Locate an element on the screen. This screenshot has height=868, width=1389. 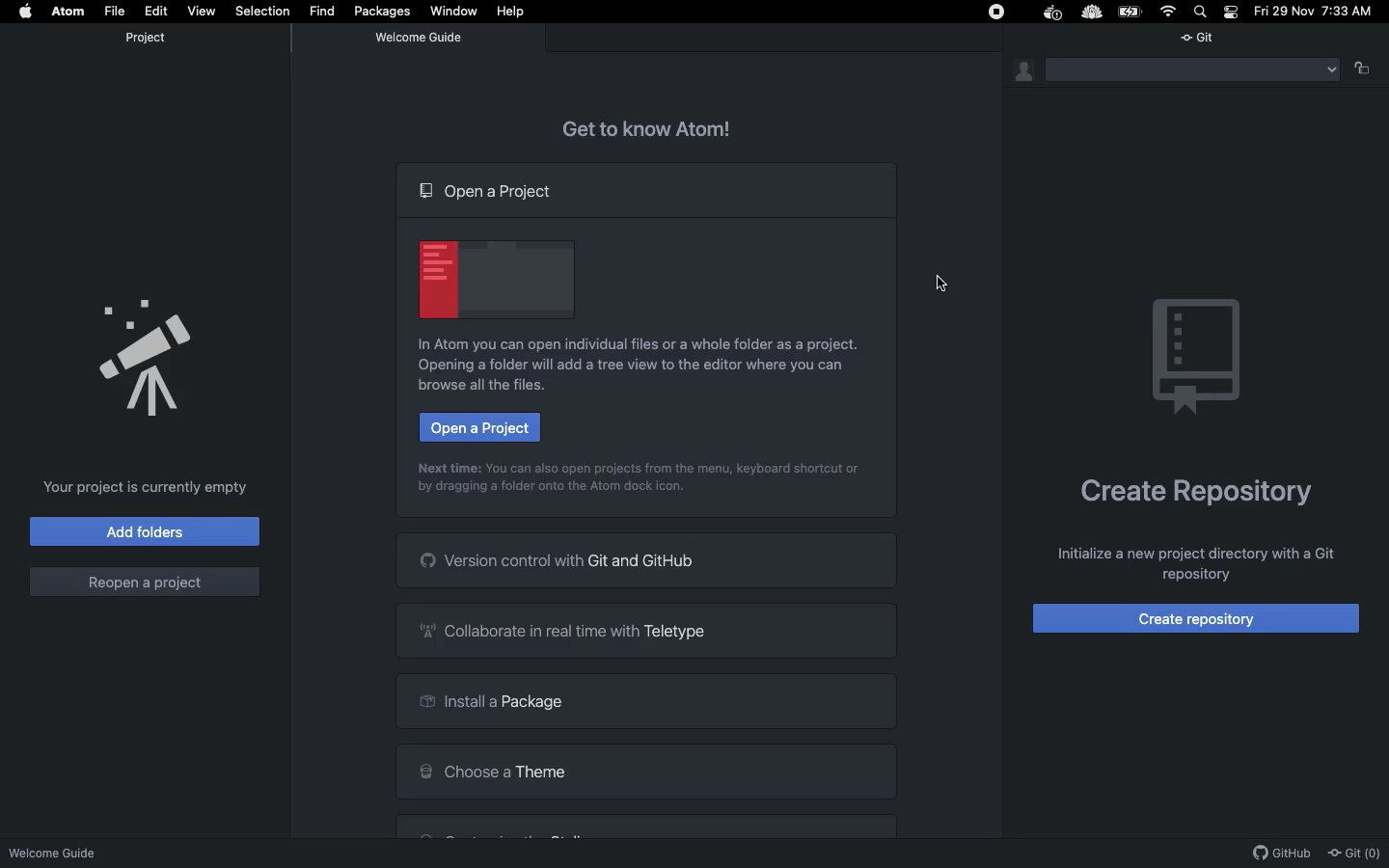
cursor is located at coordinates (941, 282).